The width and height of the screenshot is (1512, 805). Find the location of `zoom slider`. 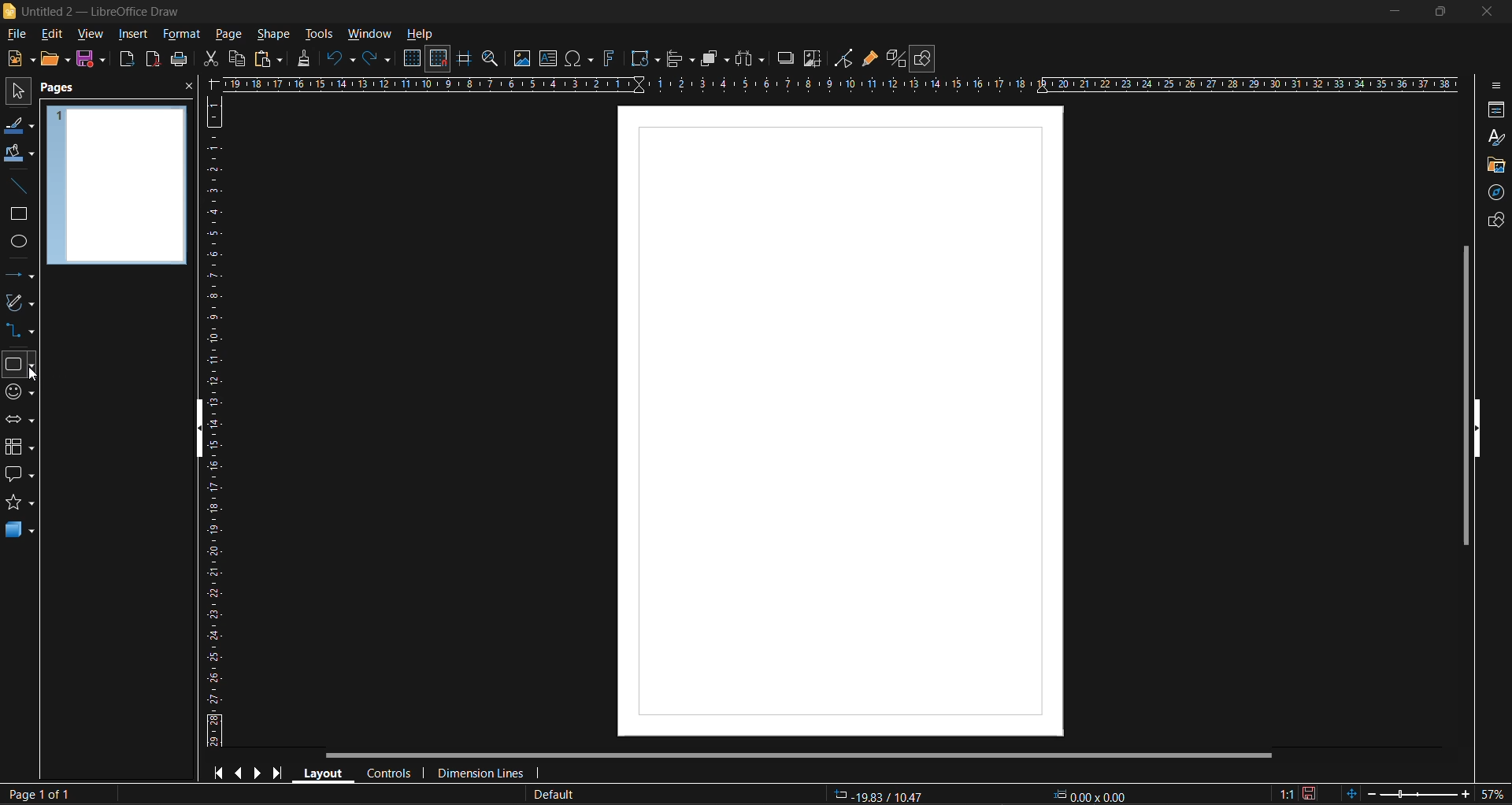

zoom slider is located at coordinates (1416, 793).